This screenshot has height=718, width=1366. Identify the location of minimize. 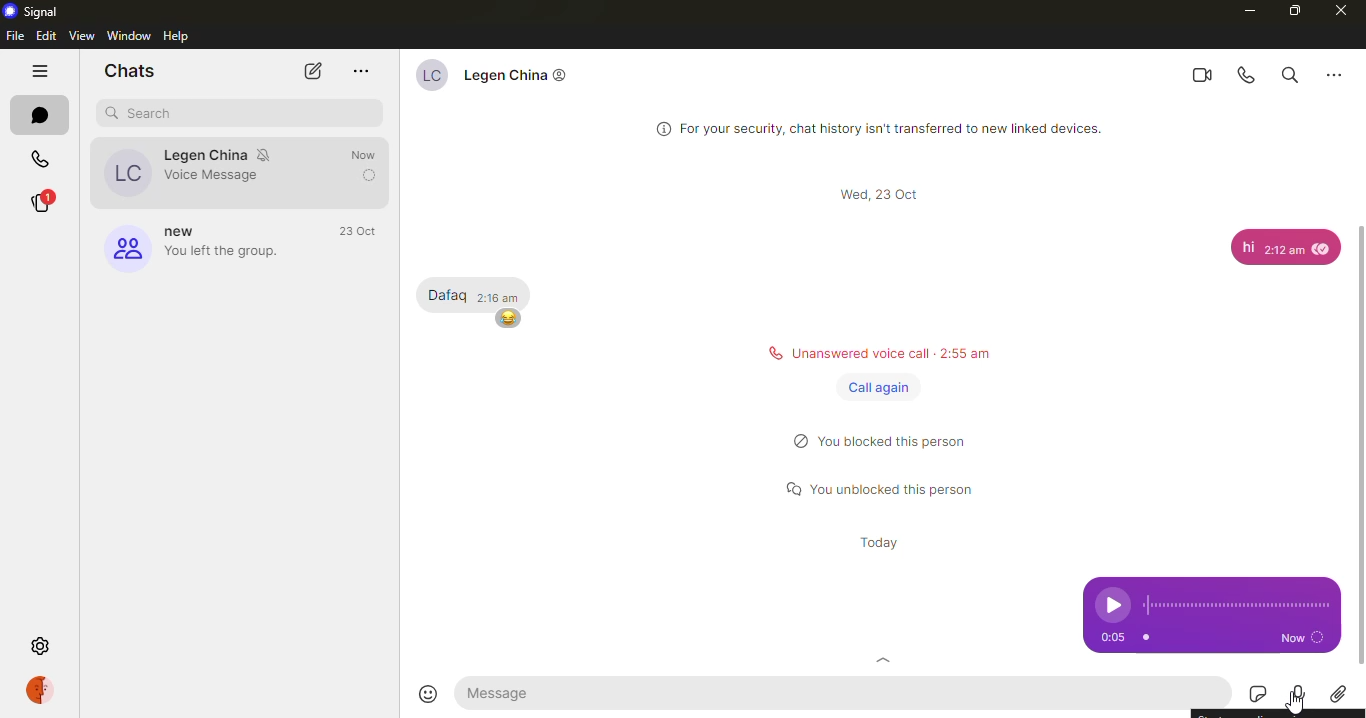
(1240, 11).